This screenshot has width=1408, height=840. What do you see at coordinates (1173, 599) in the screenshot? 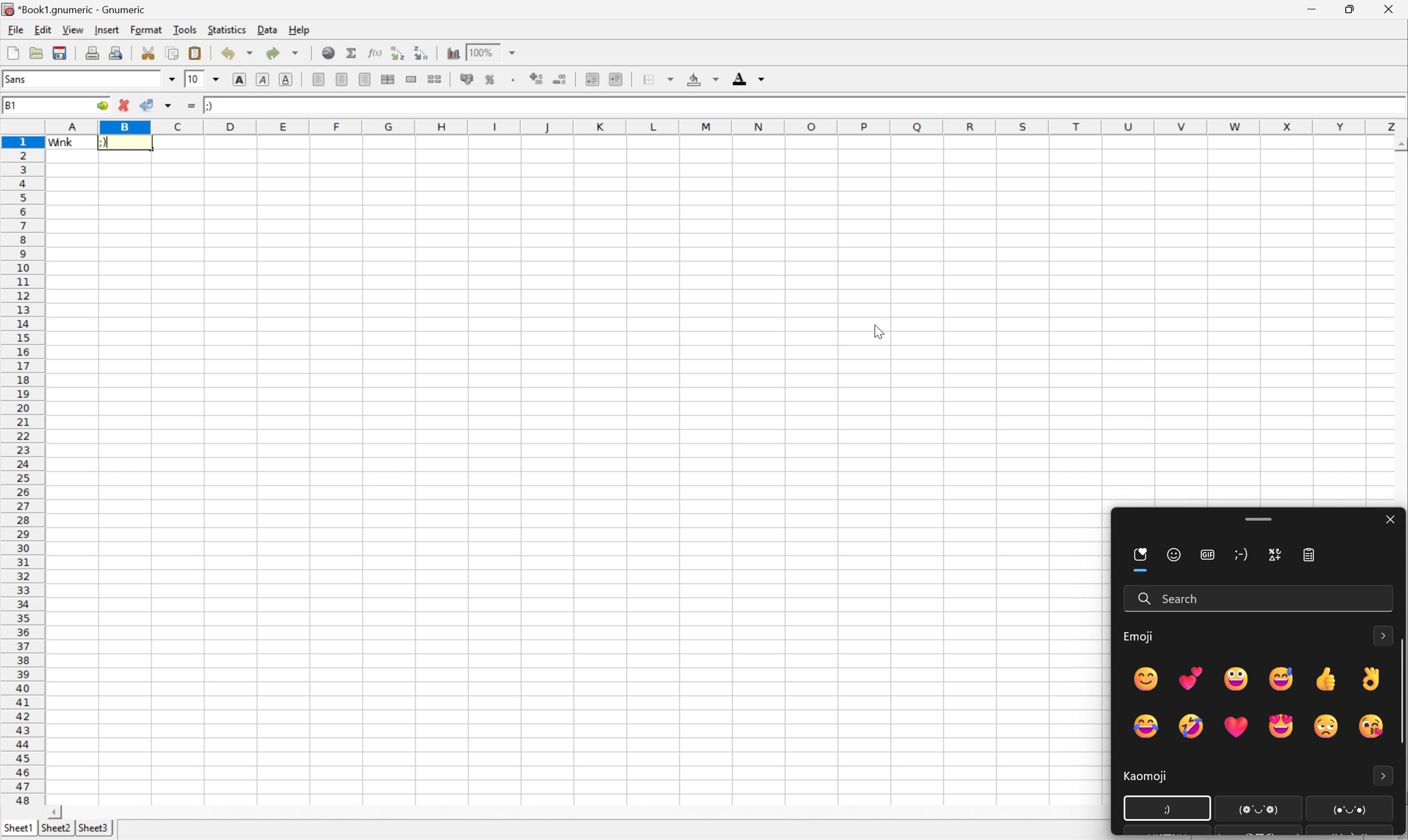
I see `search` at bounding box center [1173, 599].